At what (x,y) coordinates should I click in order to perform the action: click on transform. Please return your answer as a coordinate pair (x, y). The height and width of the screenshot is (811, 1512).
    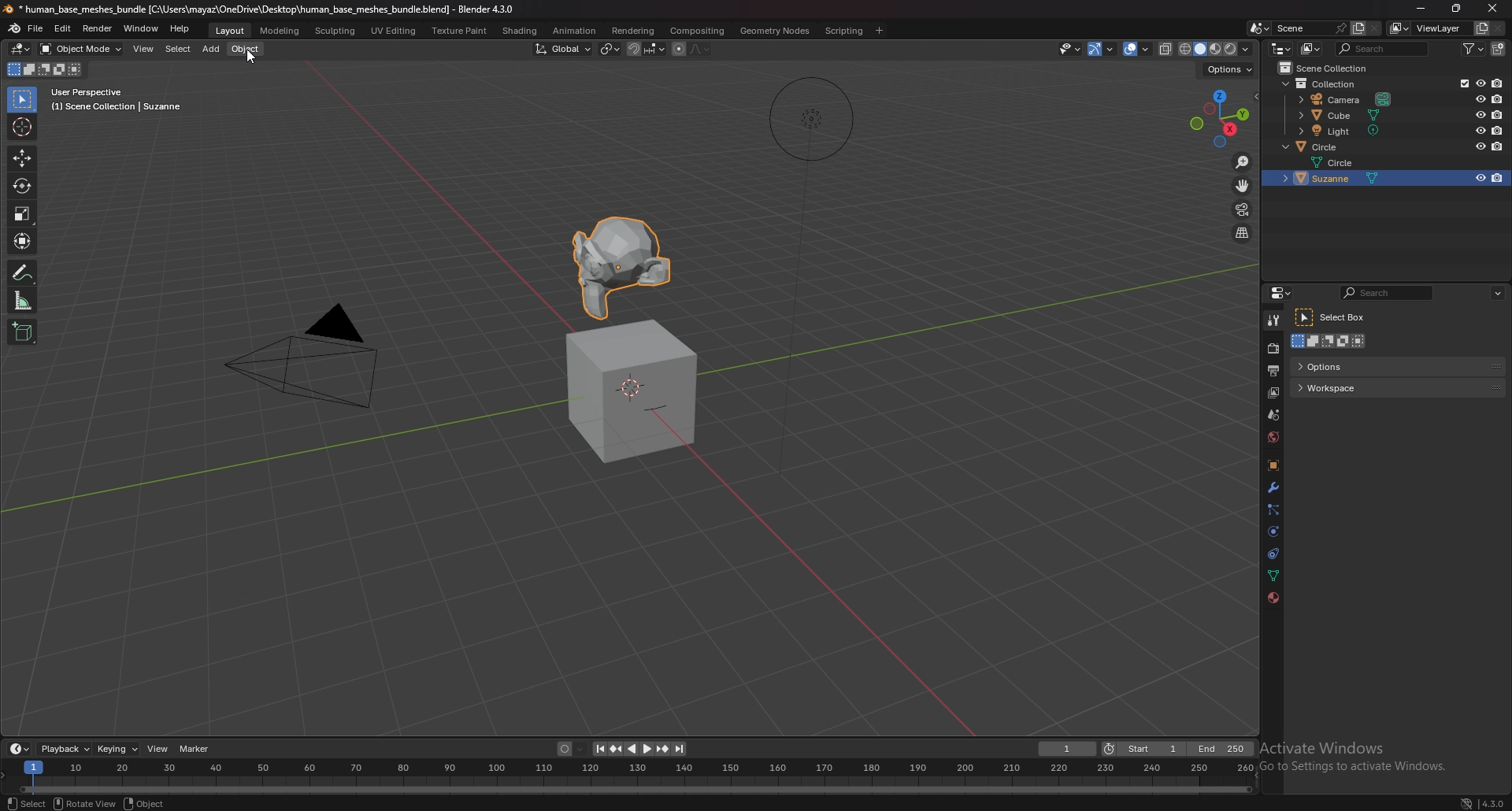
    Looking at the image, I should click on (24, 242).